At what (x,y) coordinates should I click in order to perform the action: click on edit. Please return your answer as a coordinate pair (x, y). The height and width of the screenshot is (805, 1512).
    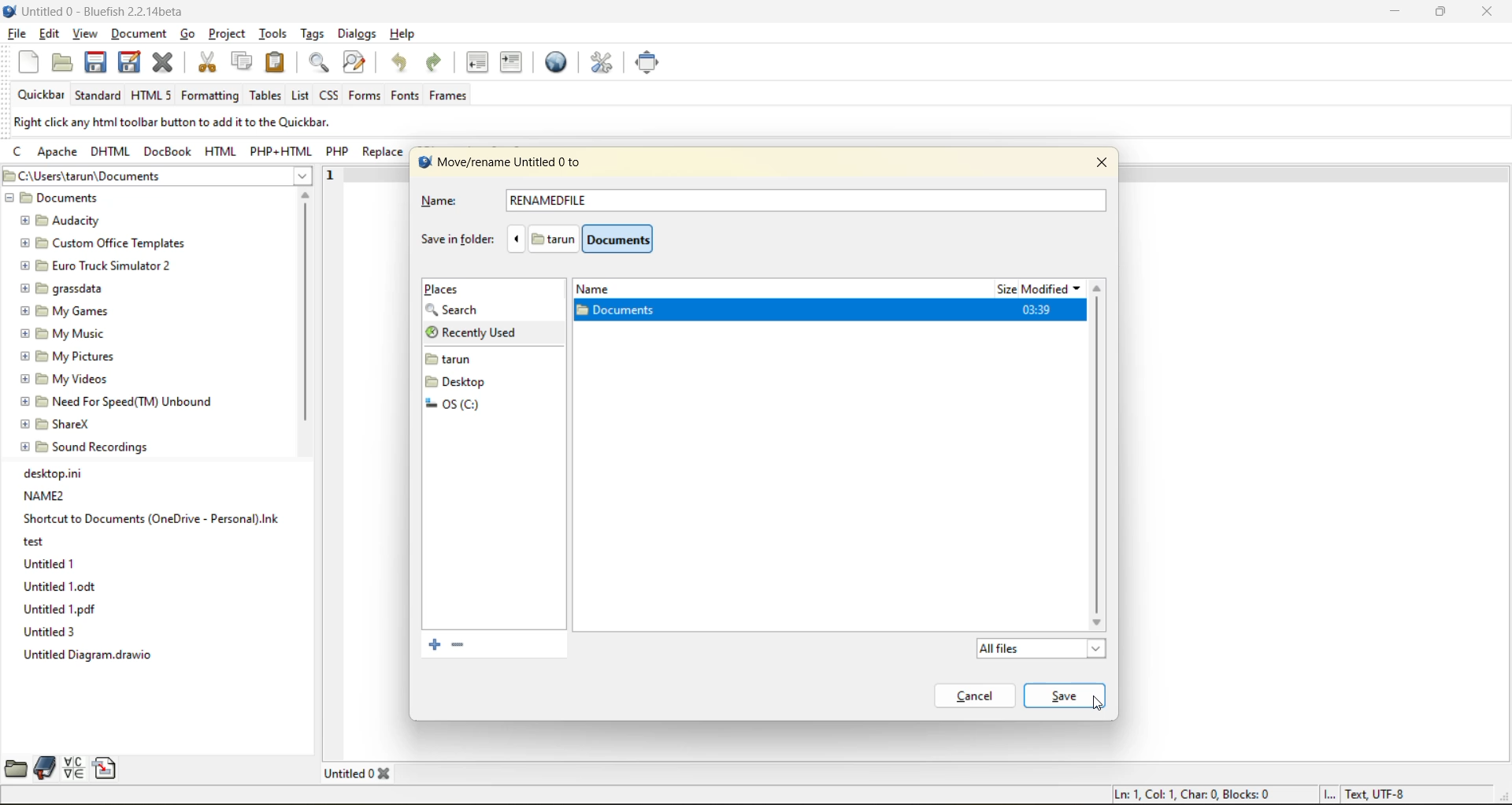
    Looking at the image, I should click on (52, 34).